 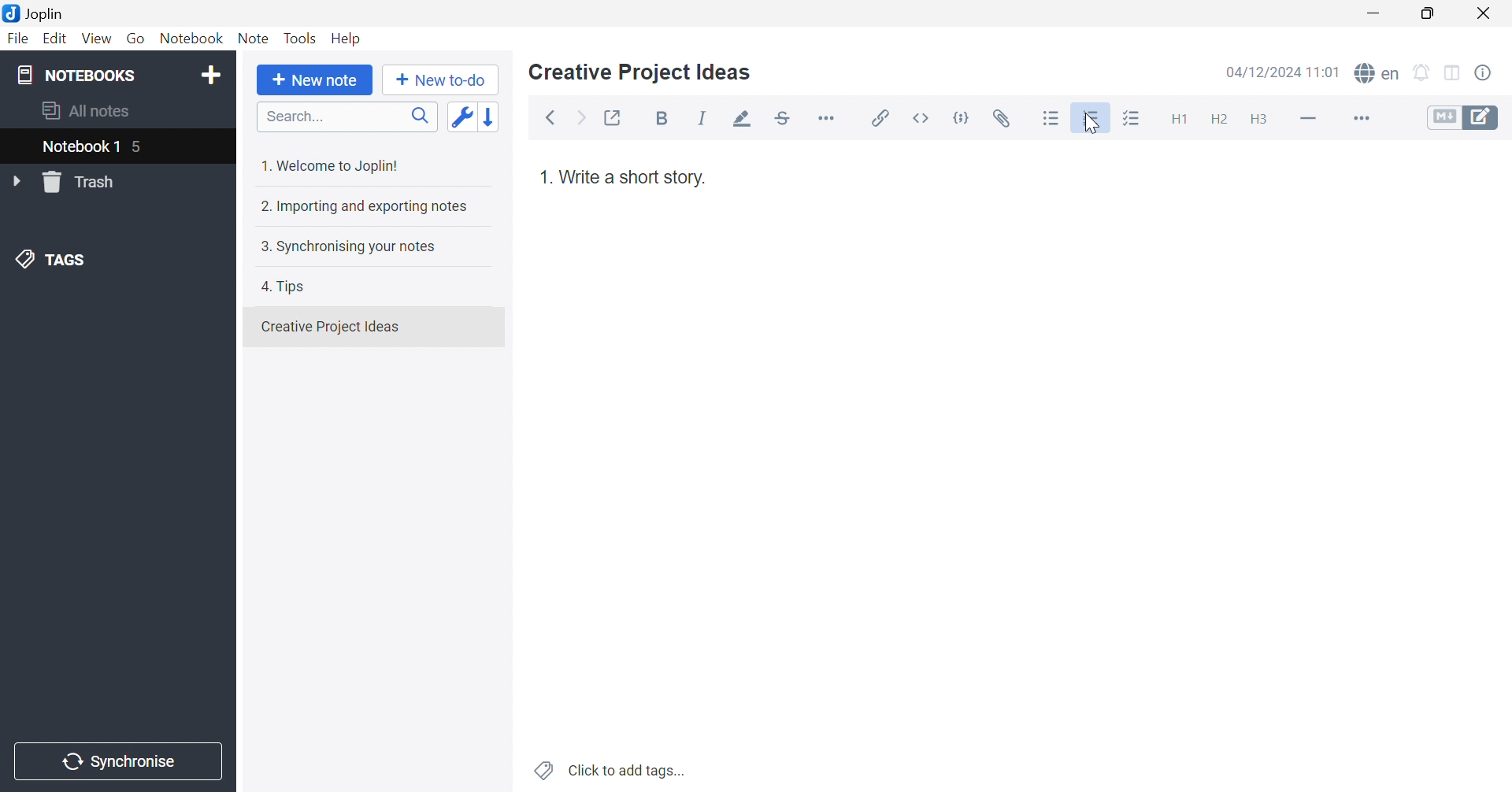 I want to click on Reverse sort order, so click(x=497, y=117).